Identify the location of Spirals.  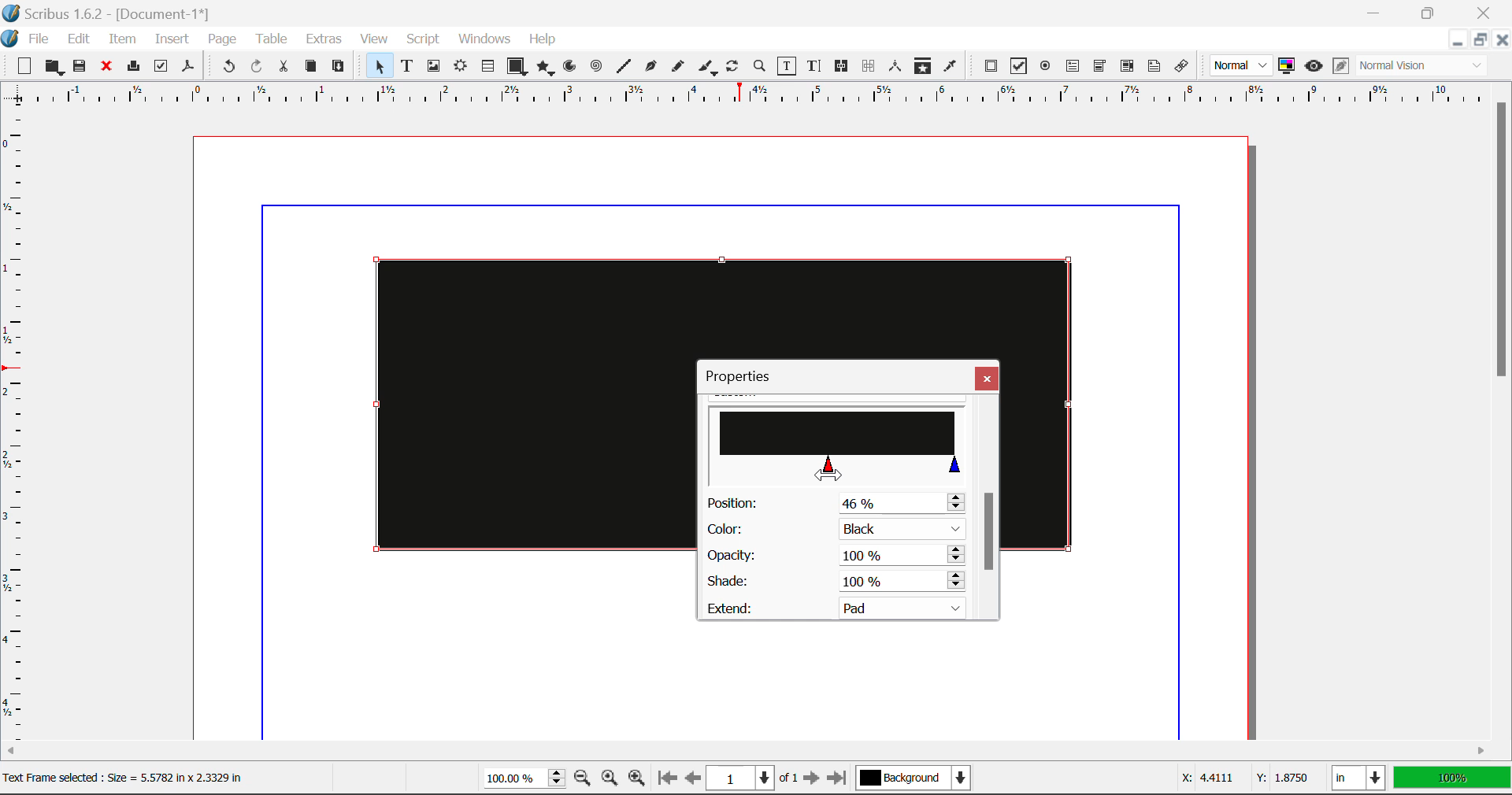
(595, 68).